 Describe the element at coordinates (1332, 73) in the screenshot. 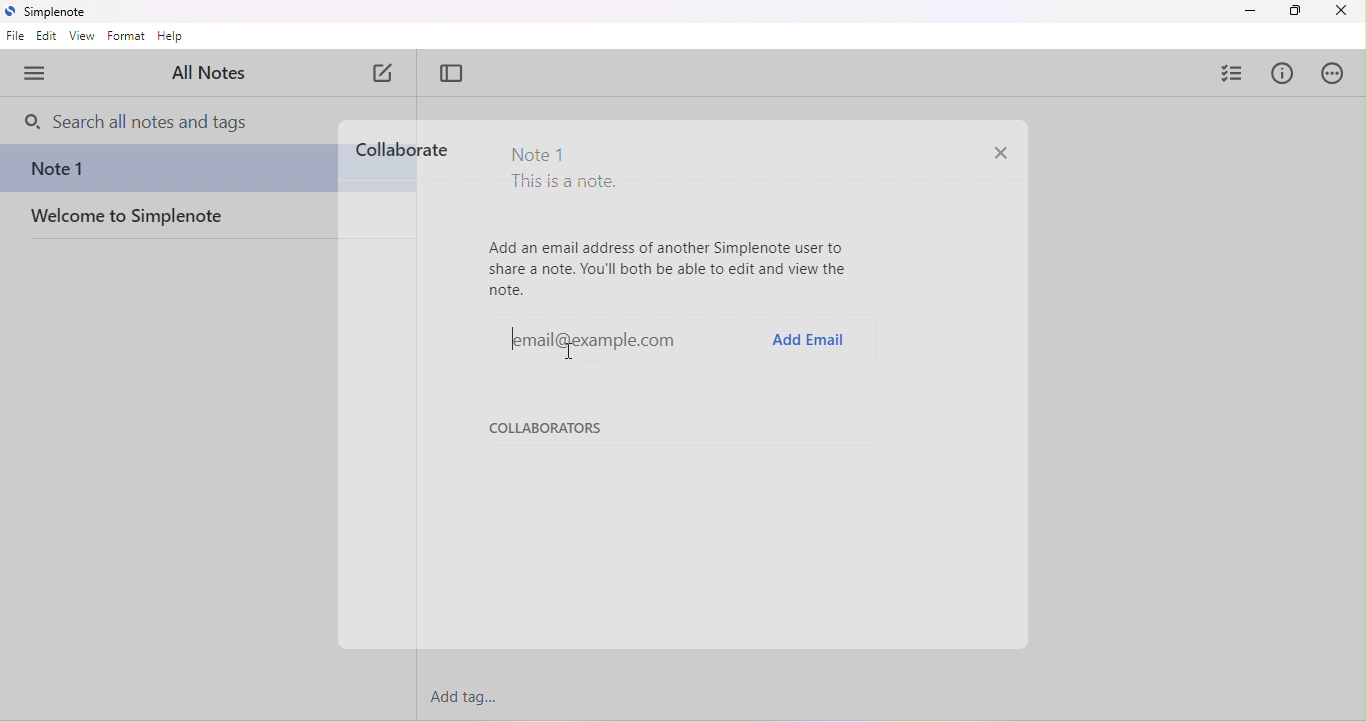

I see `actions` at that location.